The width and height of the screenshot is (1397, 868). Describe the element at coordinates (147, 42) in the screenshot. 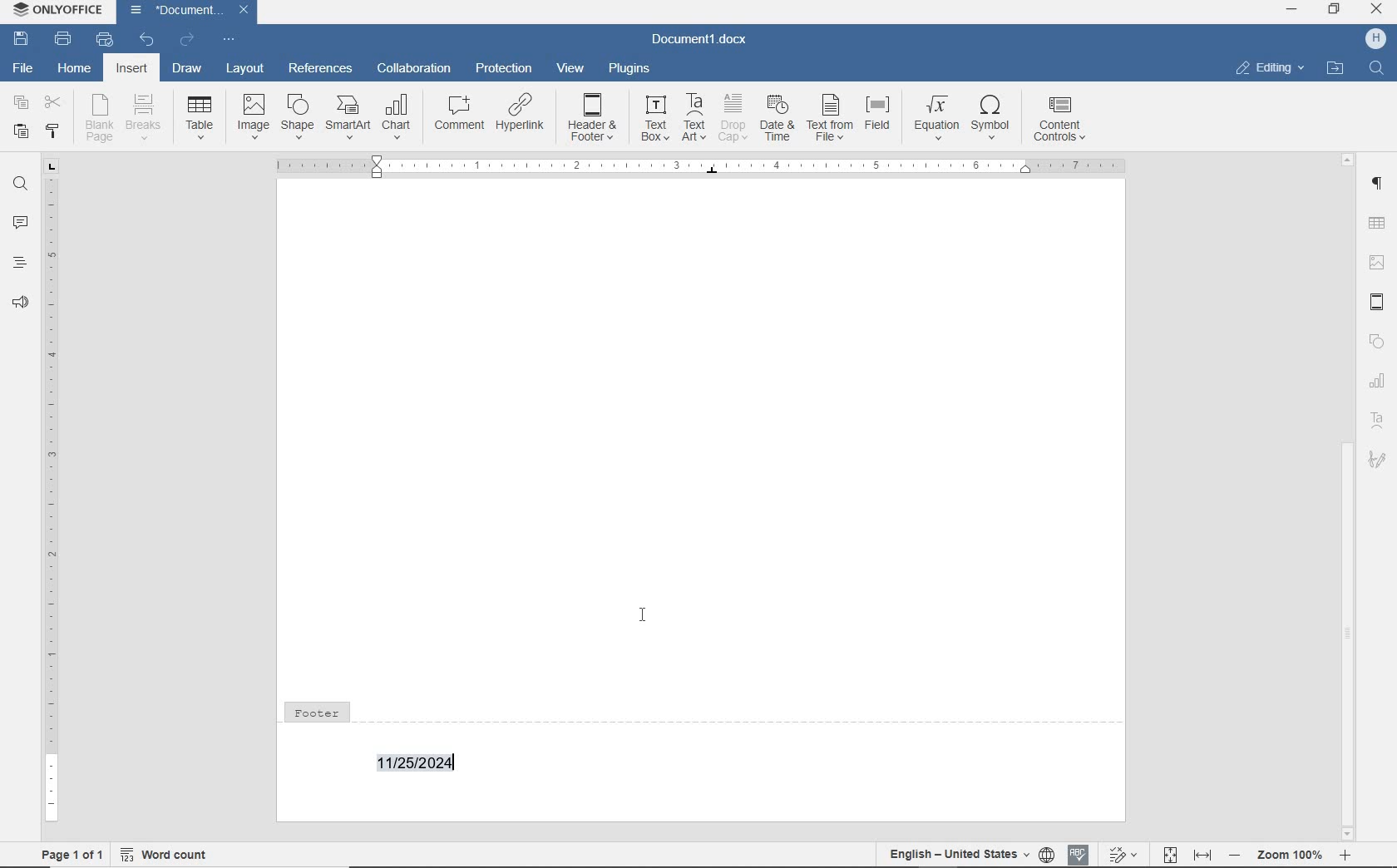

I see `undo` at that location.